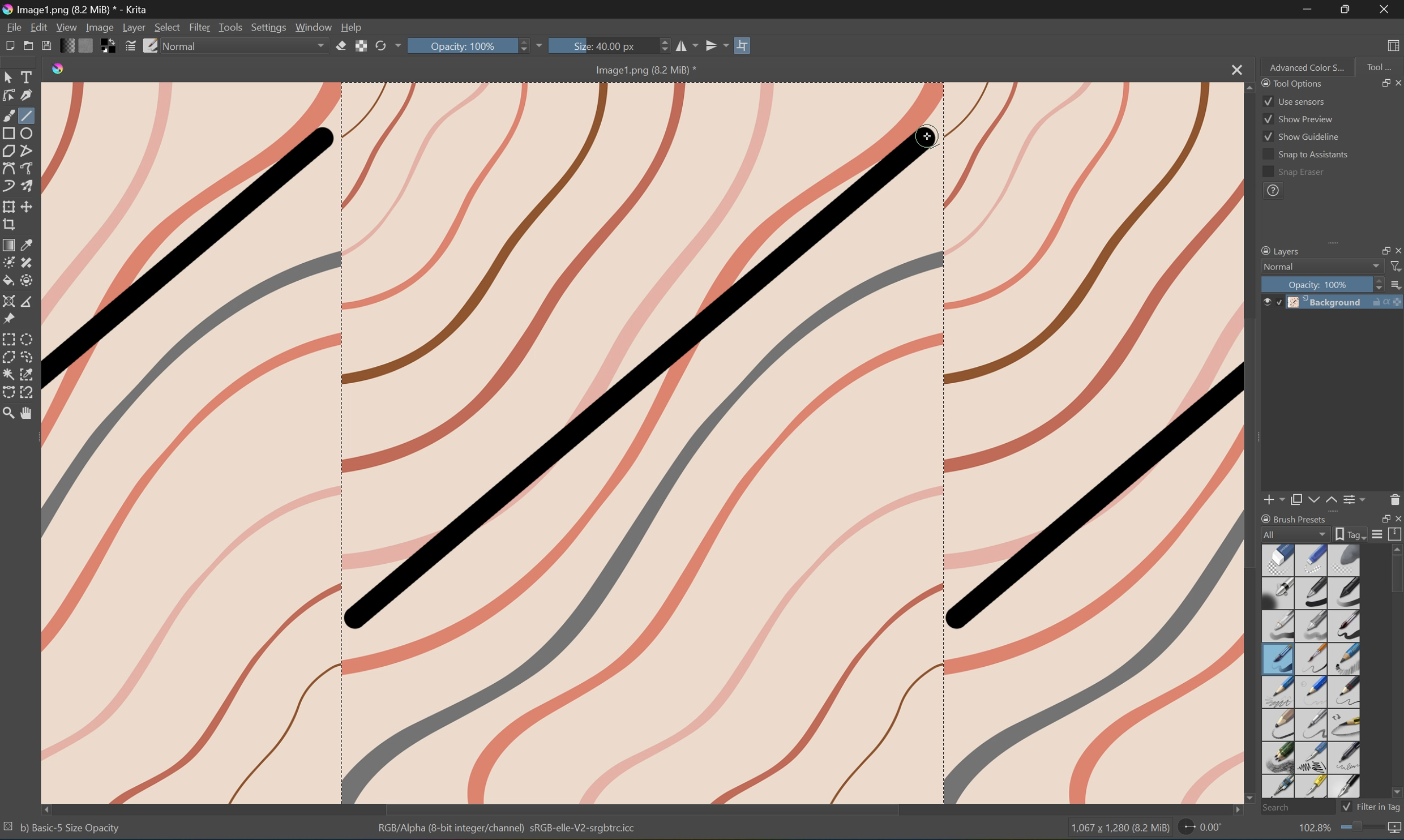 The width and height of the screenshot is (1404, 840). I want to click on Image1.png (8.2 MB), so click(641, 70).